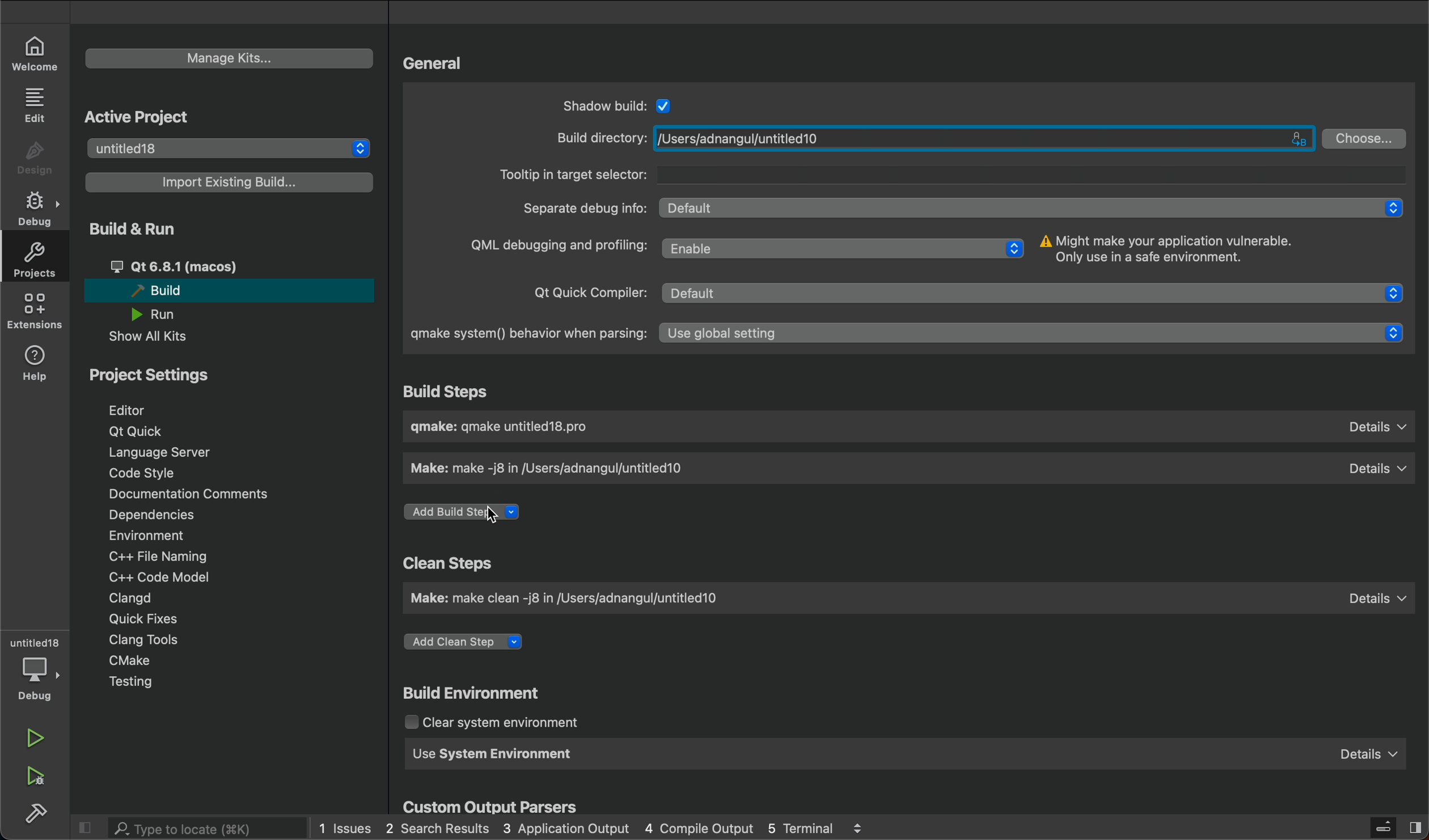  I want to click on Default, so click(1038, 294).